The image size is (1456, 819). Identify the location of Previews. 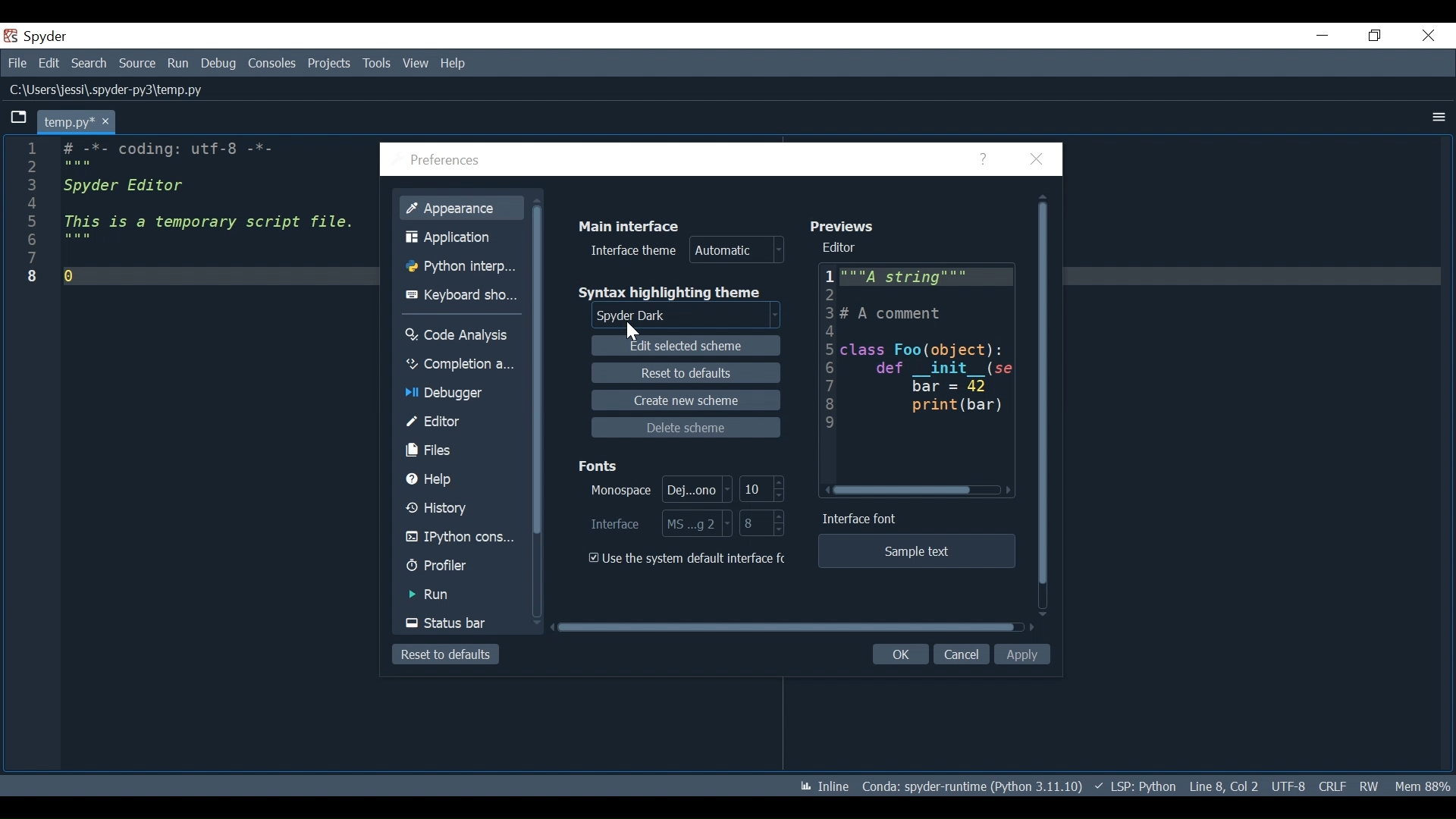
(843, 226).